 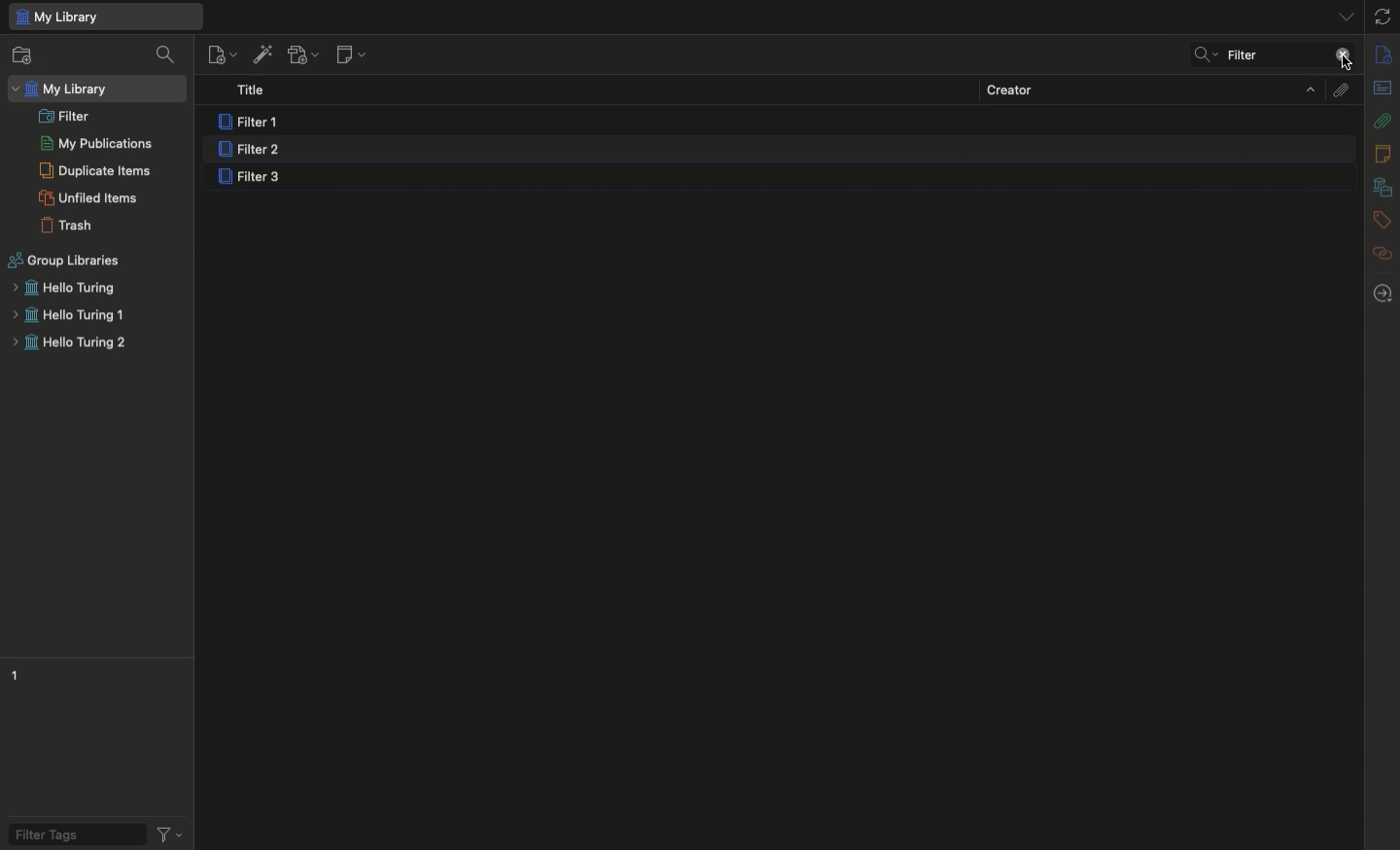 I want to click on List all tabs, so click(x=1339, y=16).